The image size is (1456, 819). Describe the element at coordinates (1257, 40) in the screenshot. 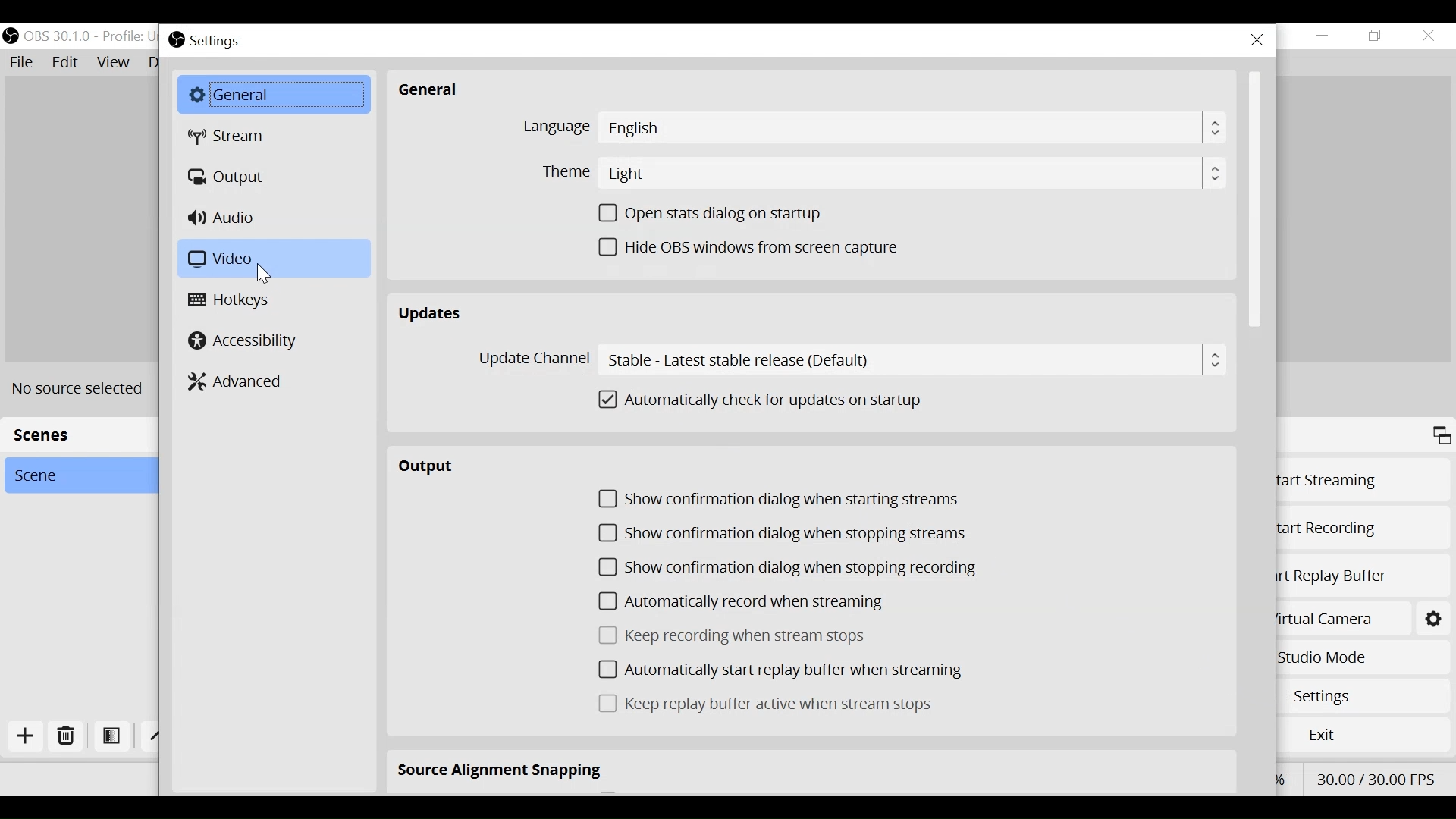

I see `Close` at that location.